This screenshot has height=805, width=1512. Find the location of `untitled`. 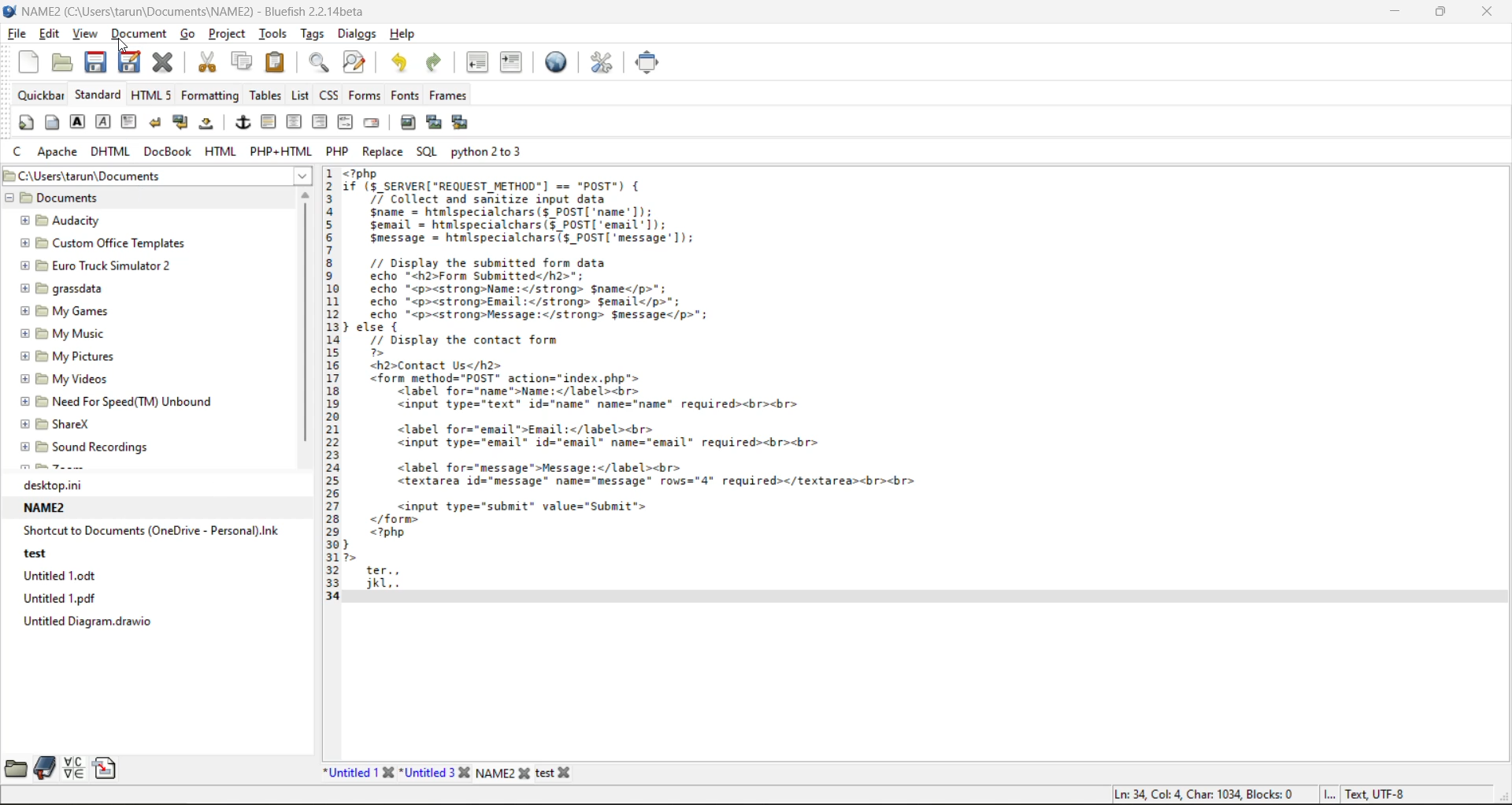

untitled is located at coordinates (66, 577).